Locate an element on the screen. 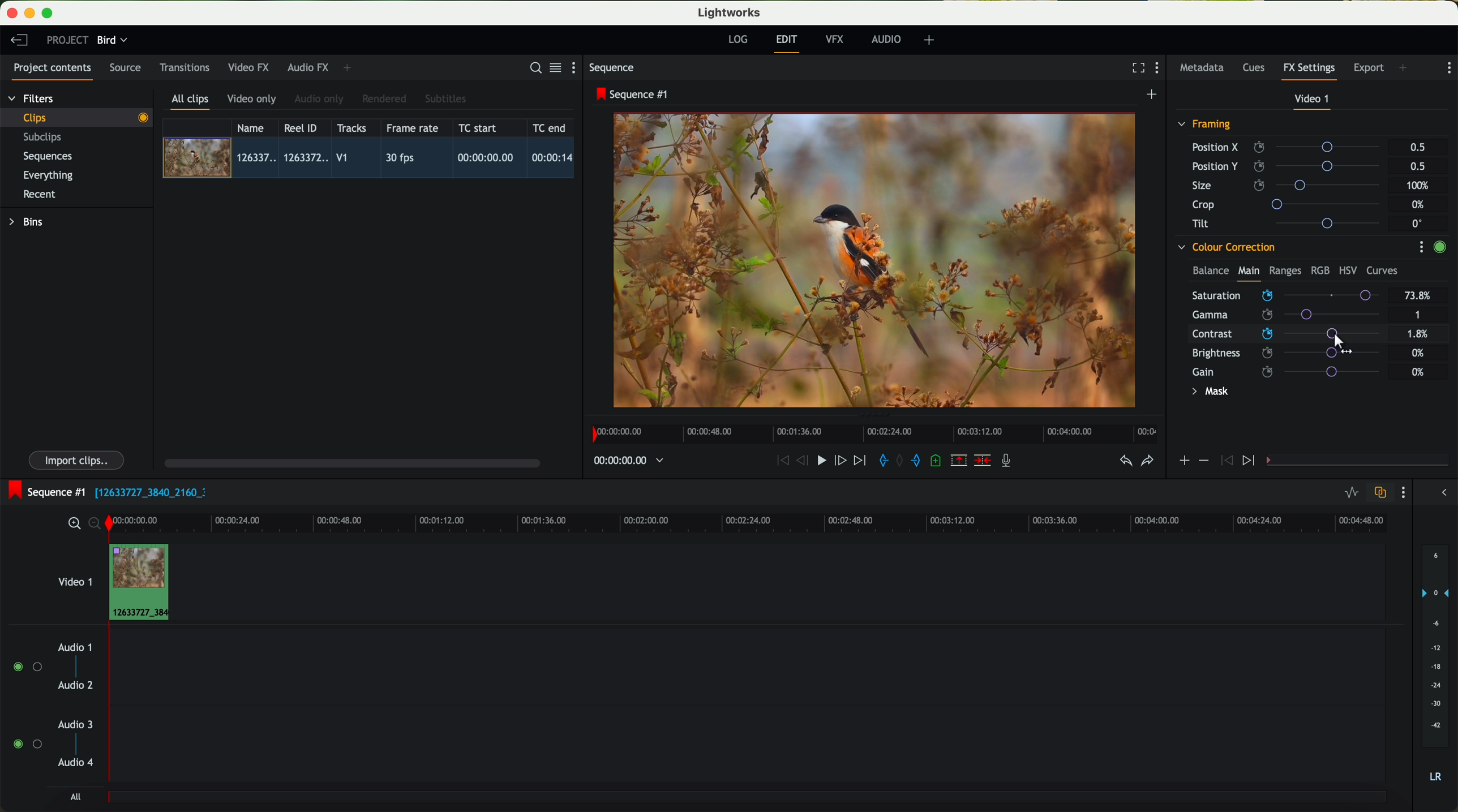  search for assets or bins is located at coordinates (532, 68).